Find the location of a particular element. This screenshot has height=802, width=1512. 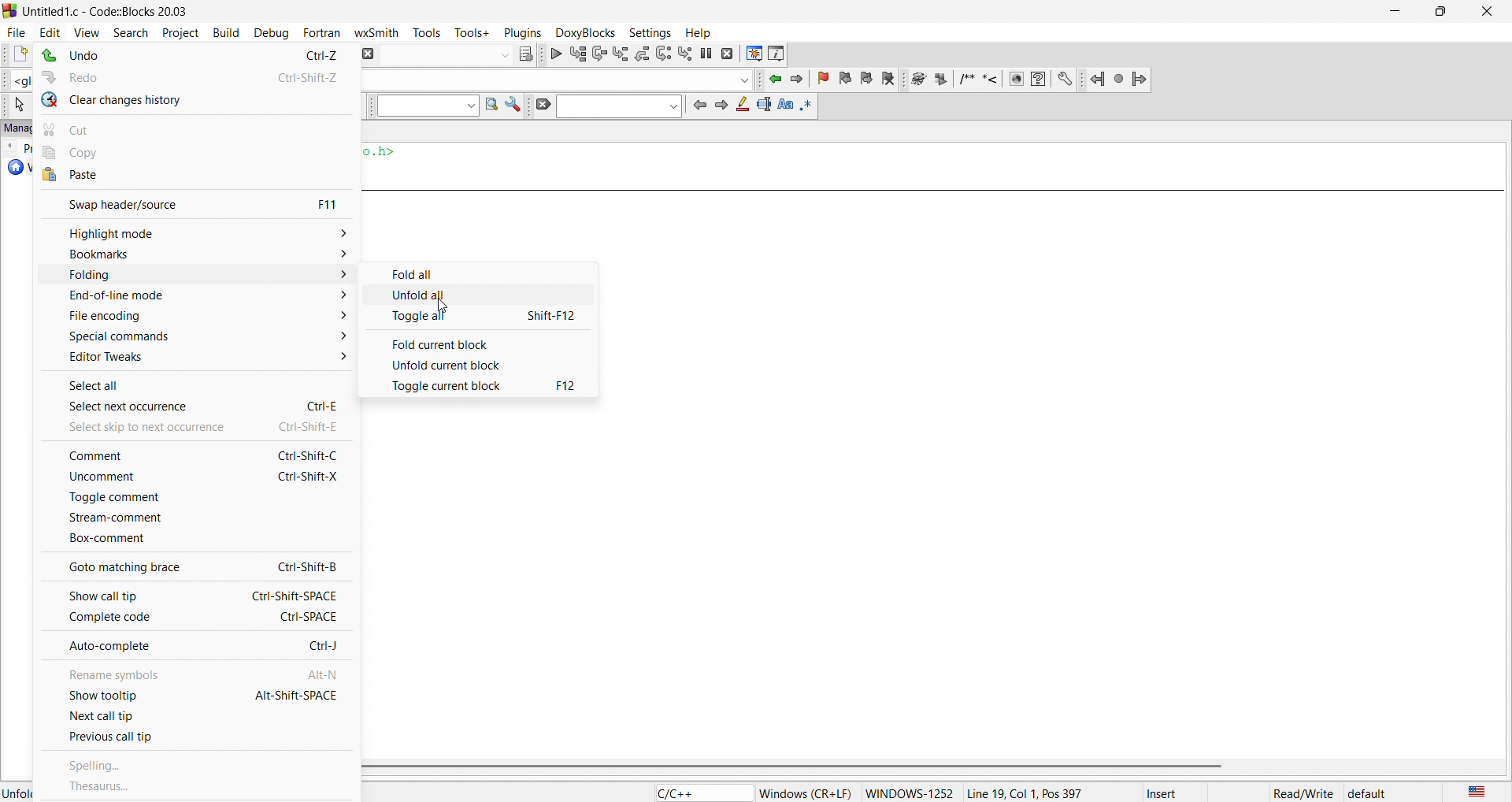

step into is located at coordinates (621, 54).